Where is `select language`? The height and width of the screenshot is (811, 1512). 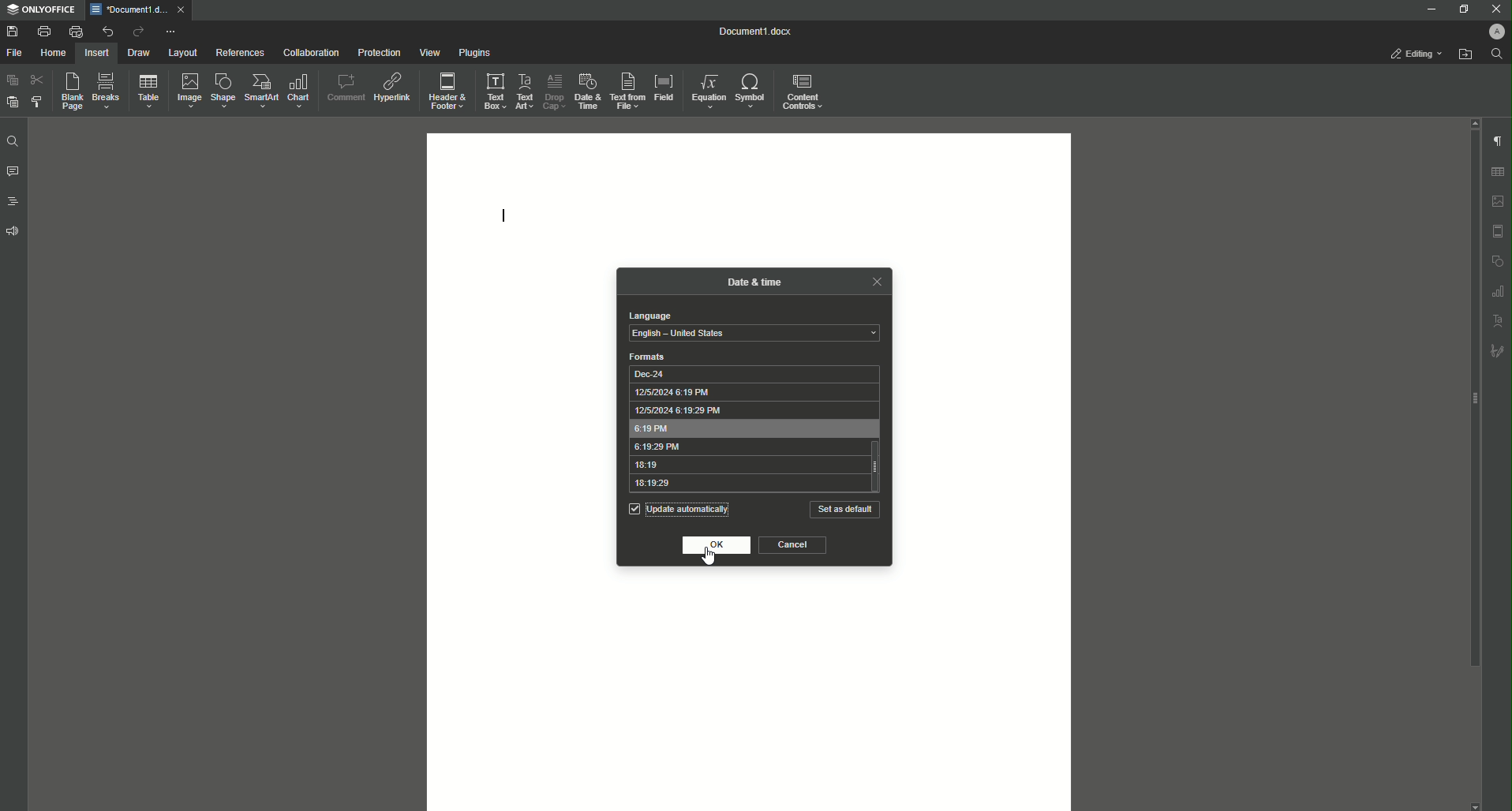 select language is located at coordinates (754, 334).